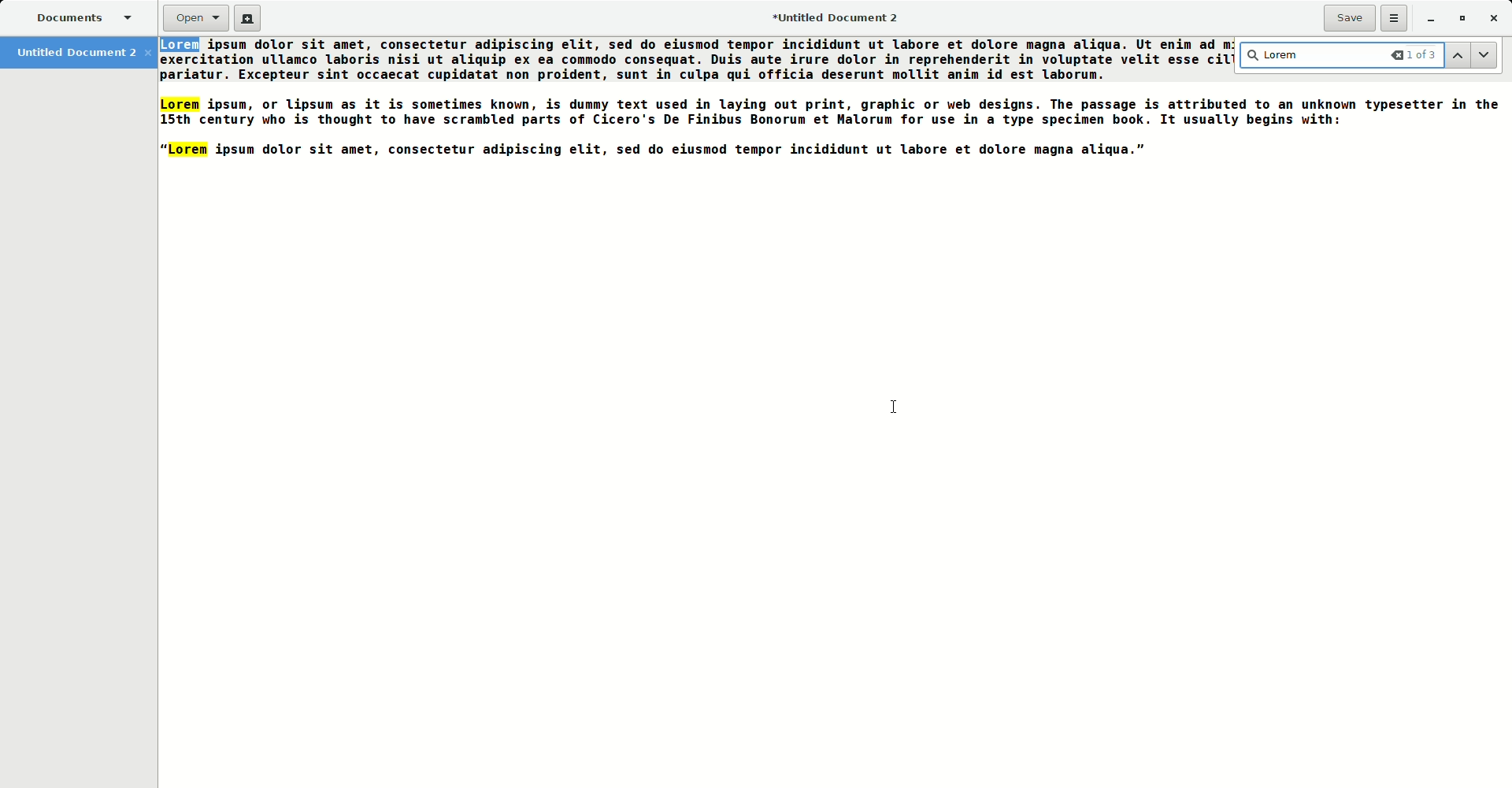 The width and height of the screenshot is (1512, 788). What do you see at coordinates (833, 17) in the screenshot?
I see `Untitled Document 2` at bounding box center [833, 17].